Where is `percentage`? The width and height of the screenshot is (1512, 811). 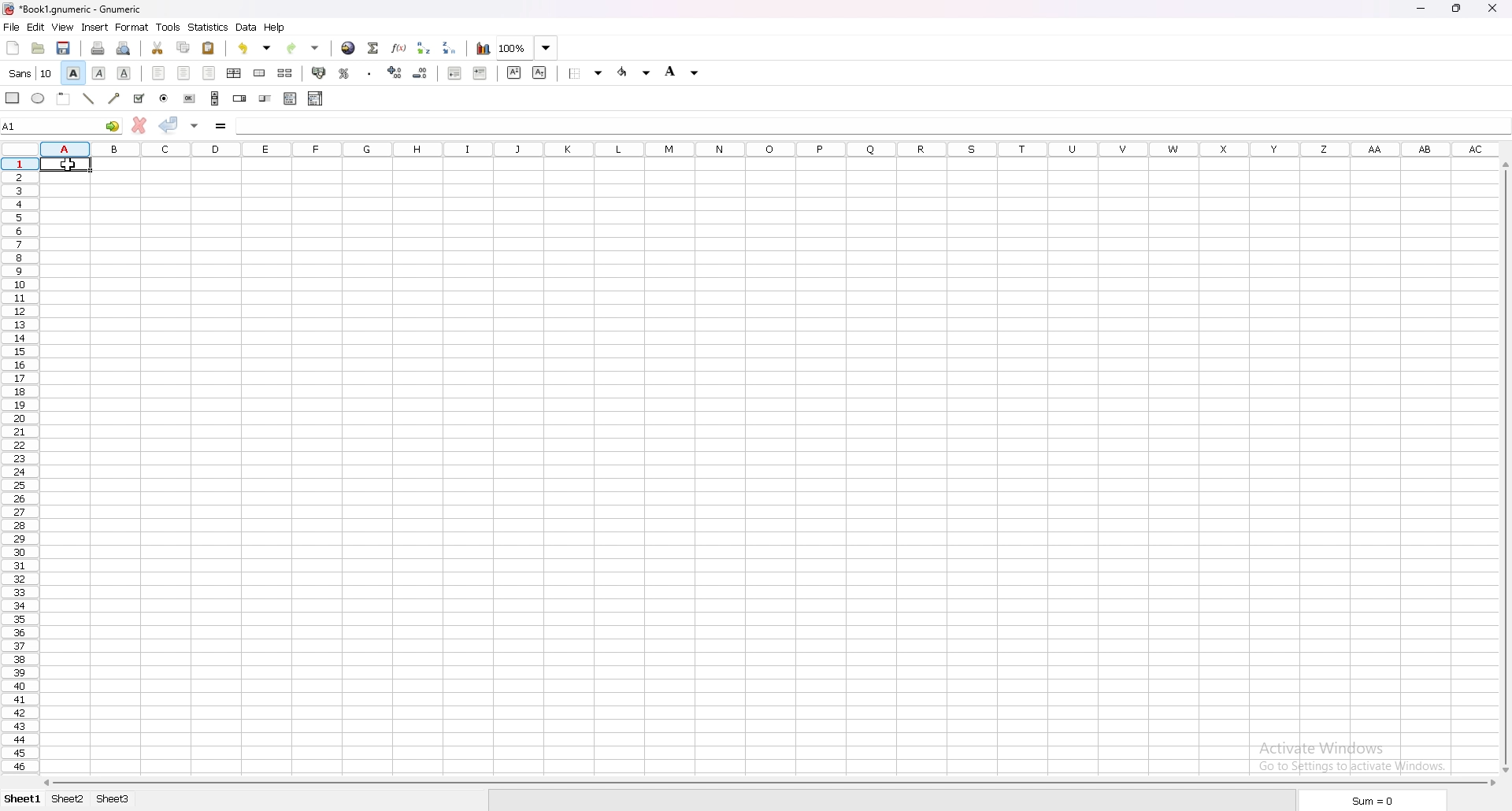 percentage is located at coordinates (345, 73).